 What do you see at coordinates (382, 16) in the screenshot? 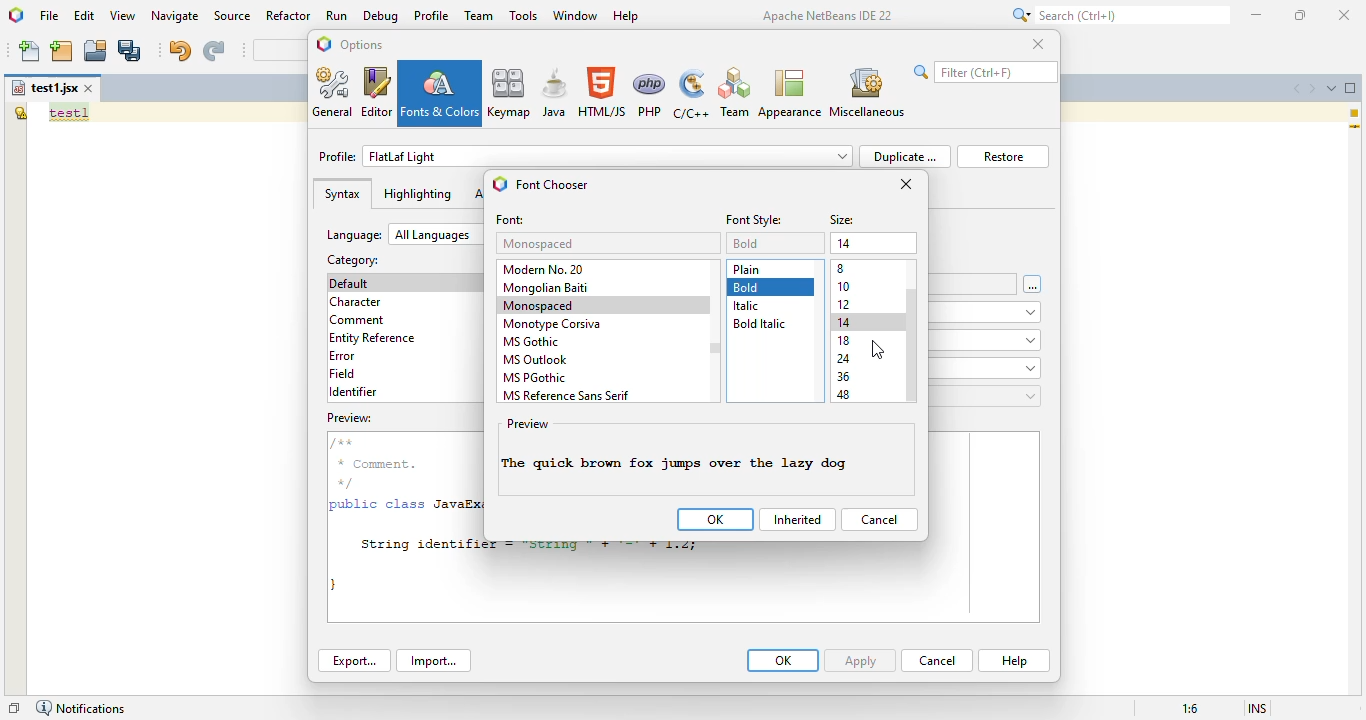
I see `debug` at bounding box center [382, 16].